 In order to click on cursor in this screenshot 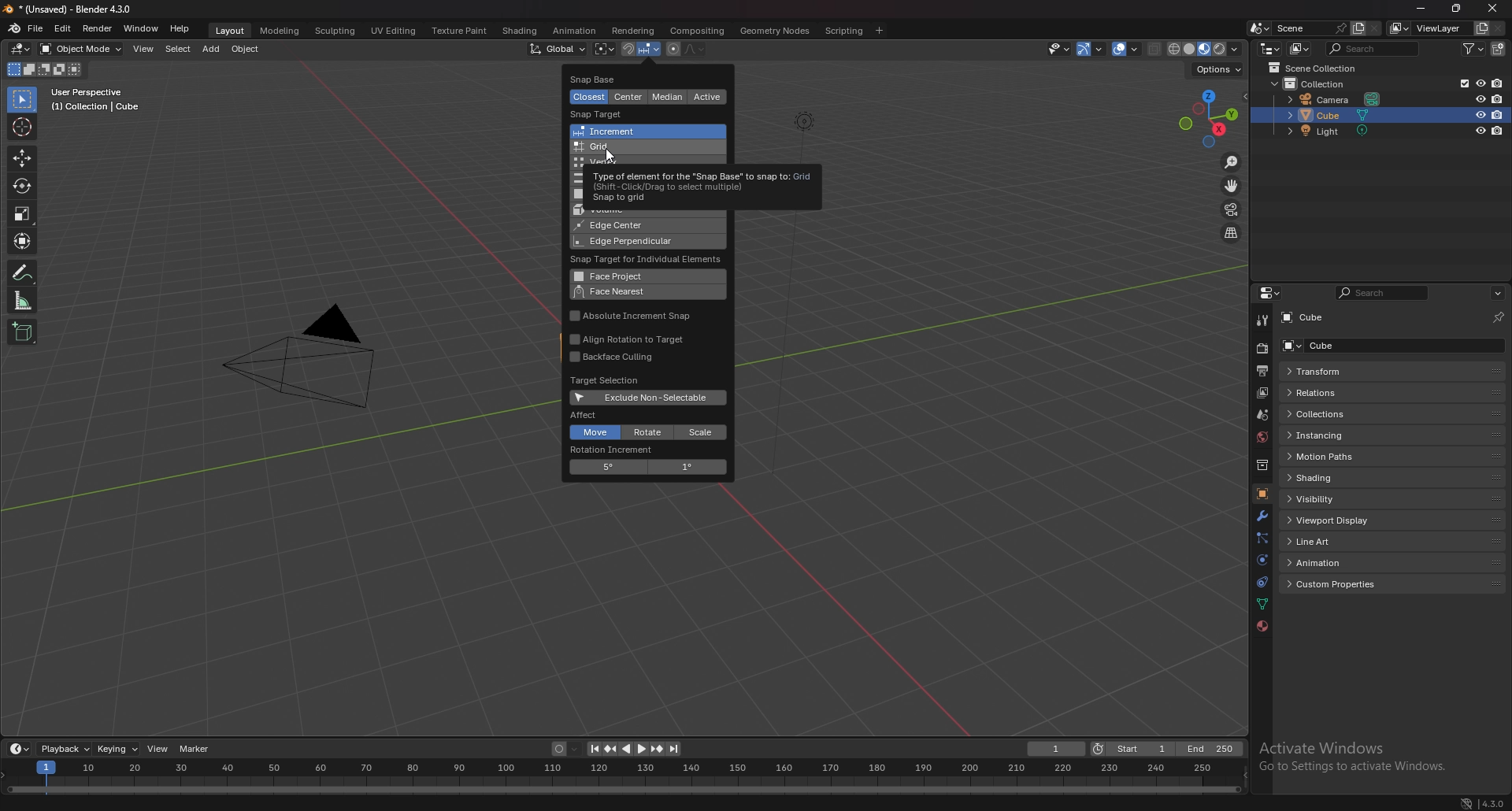, I will do `click(610, 157)`.